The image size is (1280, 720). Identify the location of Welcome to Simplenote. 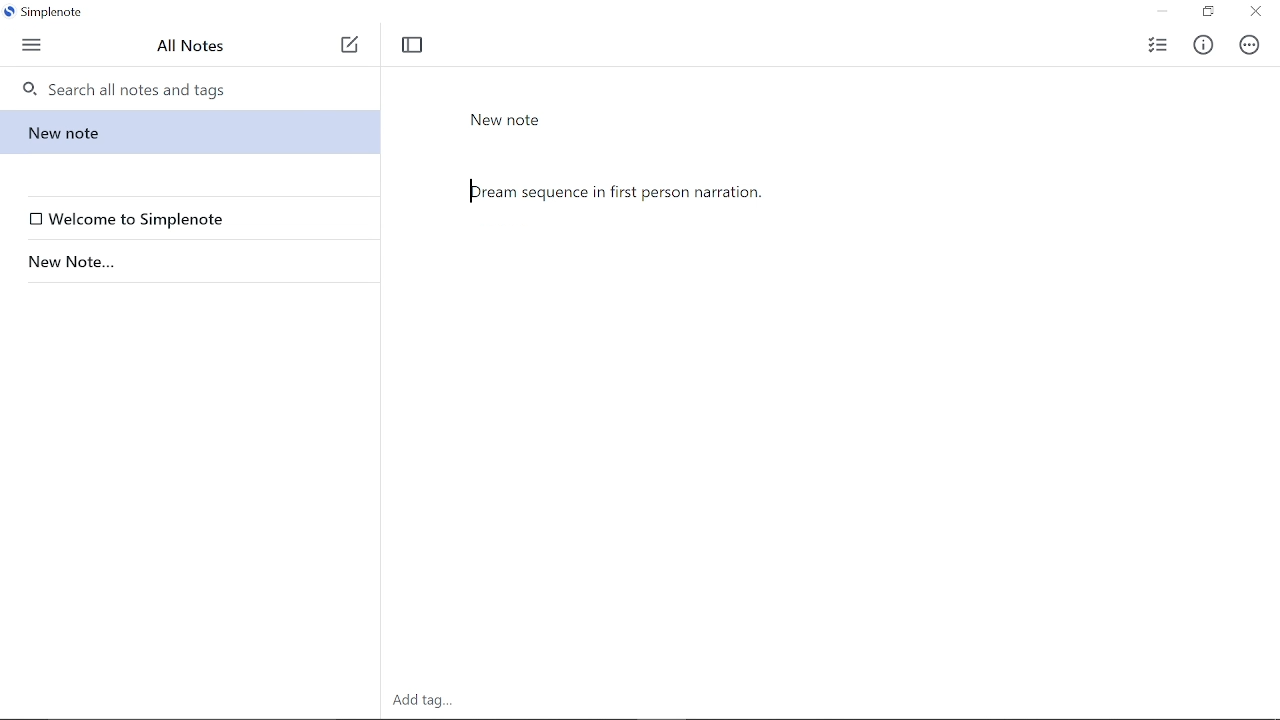
(194, 219).